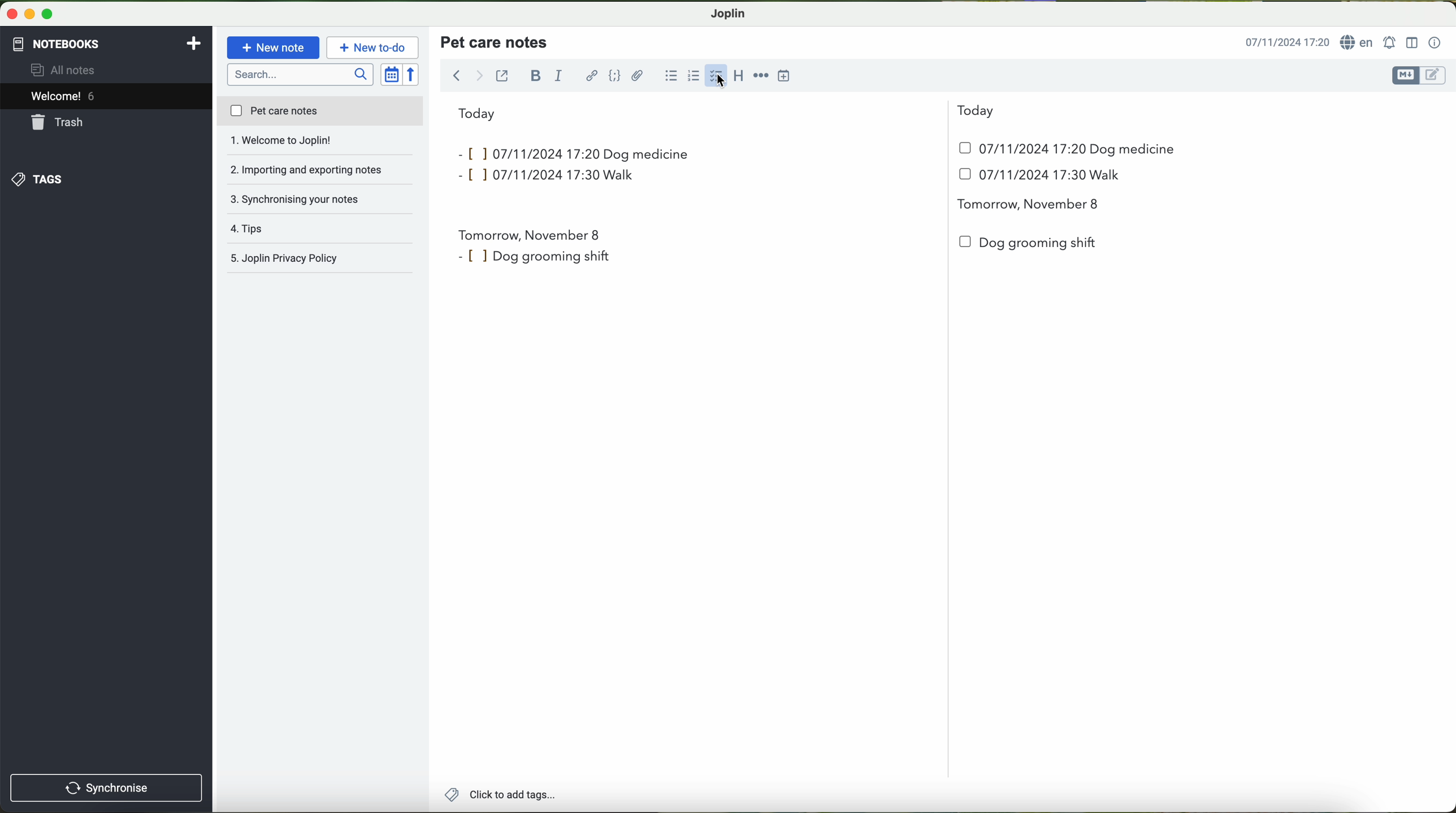 This screenshot has width=1456, height=813. Describe the element at coordinates (789, 75) in the screenshot. I see `insert time` at that location.